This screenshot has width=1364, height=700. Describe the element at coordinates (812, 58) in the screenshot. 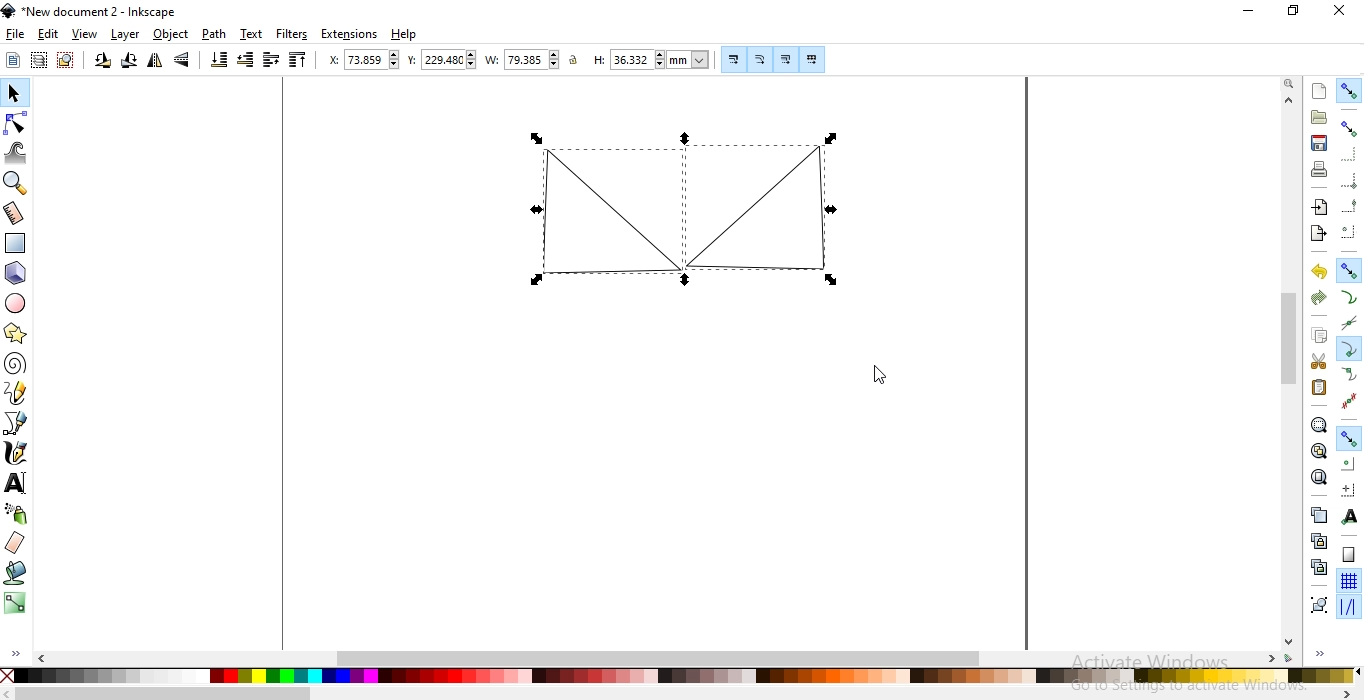

I see `move patterns along with objects` at that location.